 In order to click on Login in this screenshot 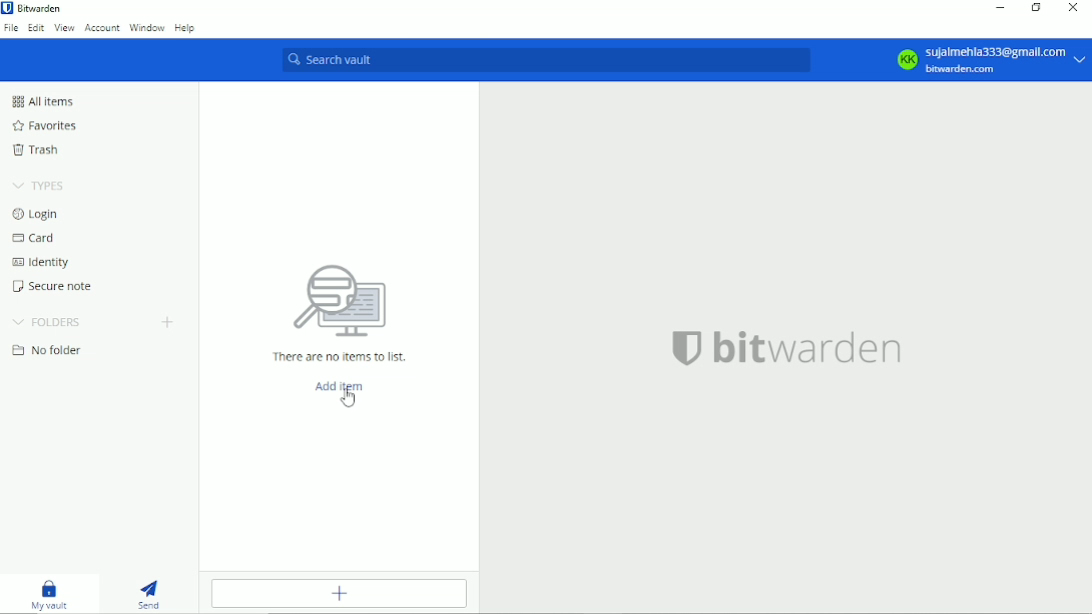, I will do `click(35, 215)`.